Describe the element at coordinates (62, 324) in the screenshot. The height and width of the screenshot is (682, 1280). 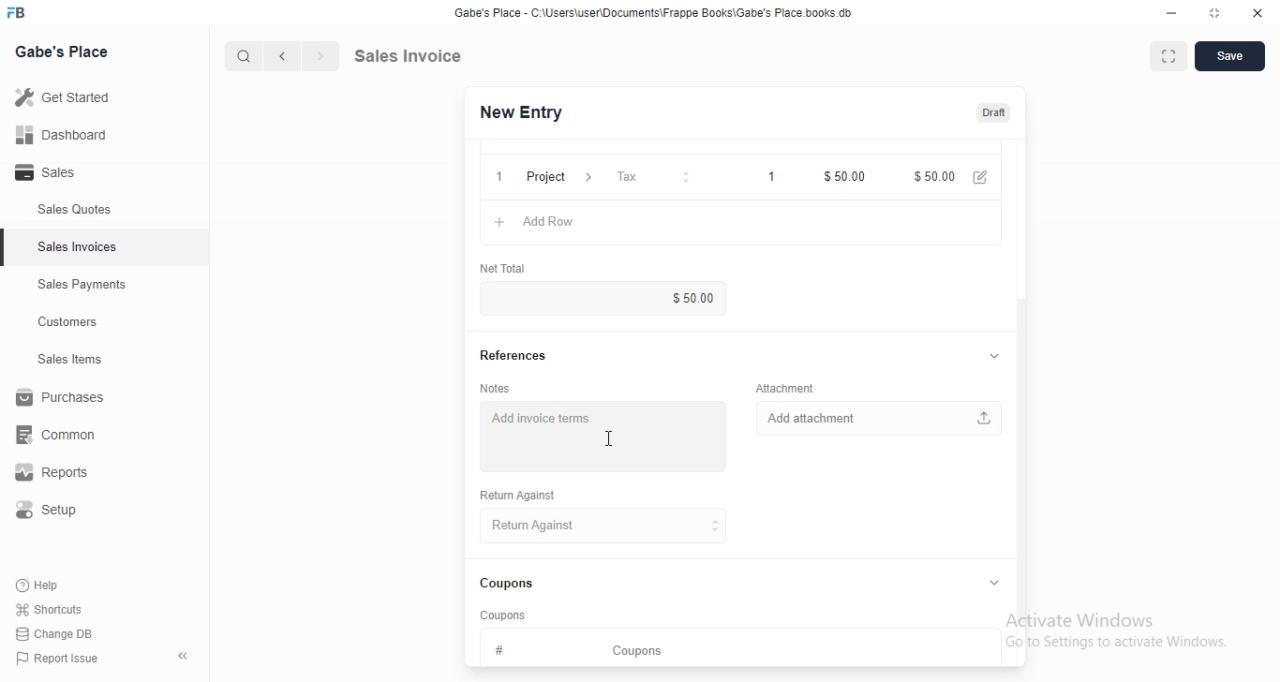
I see `Customers.` at that location.